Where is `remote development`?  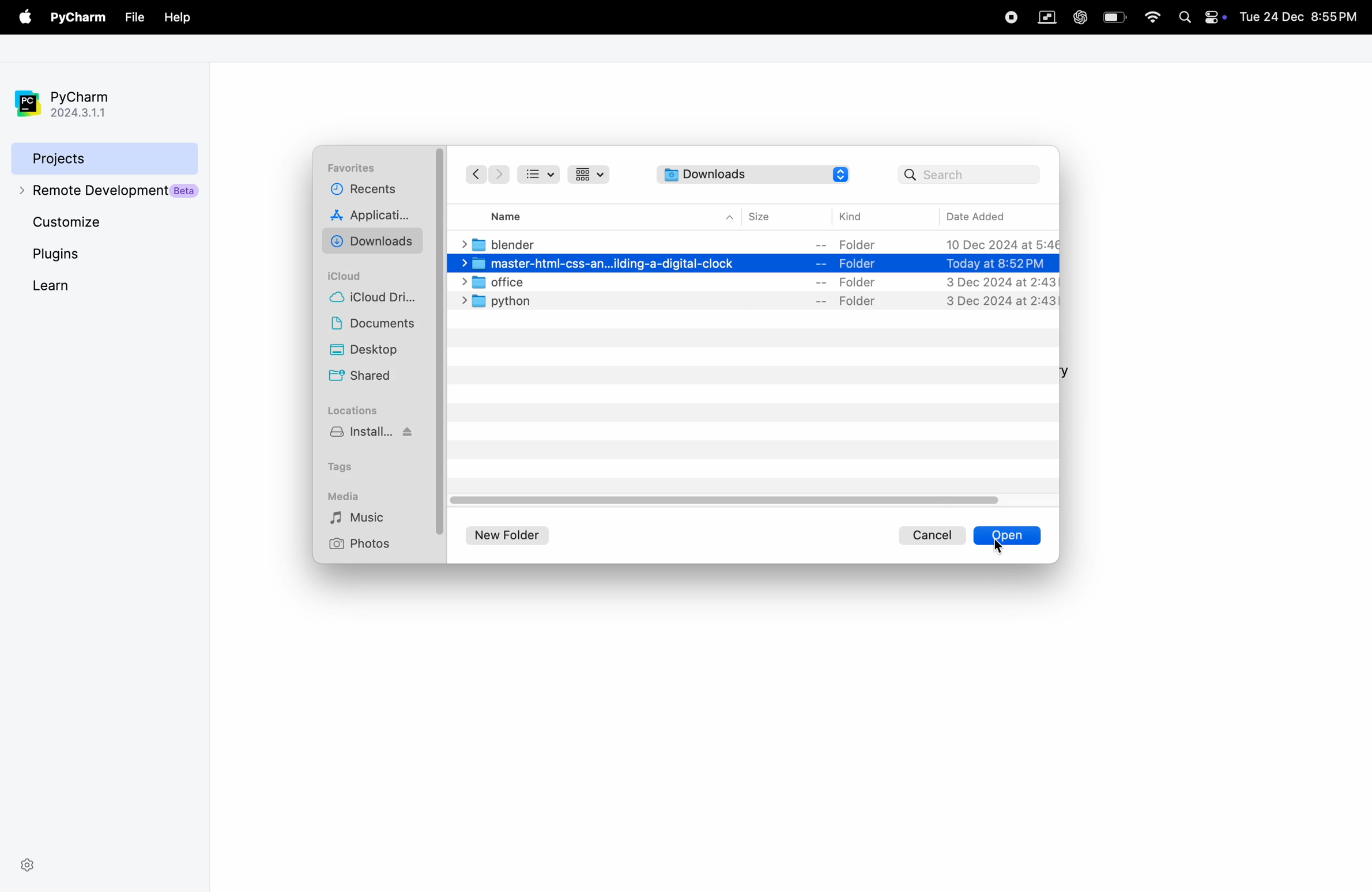 remote development is located at coordinates (105, 190).